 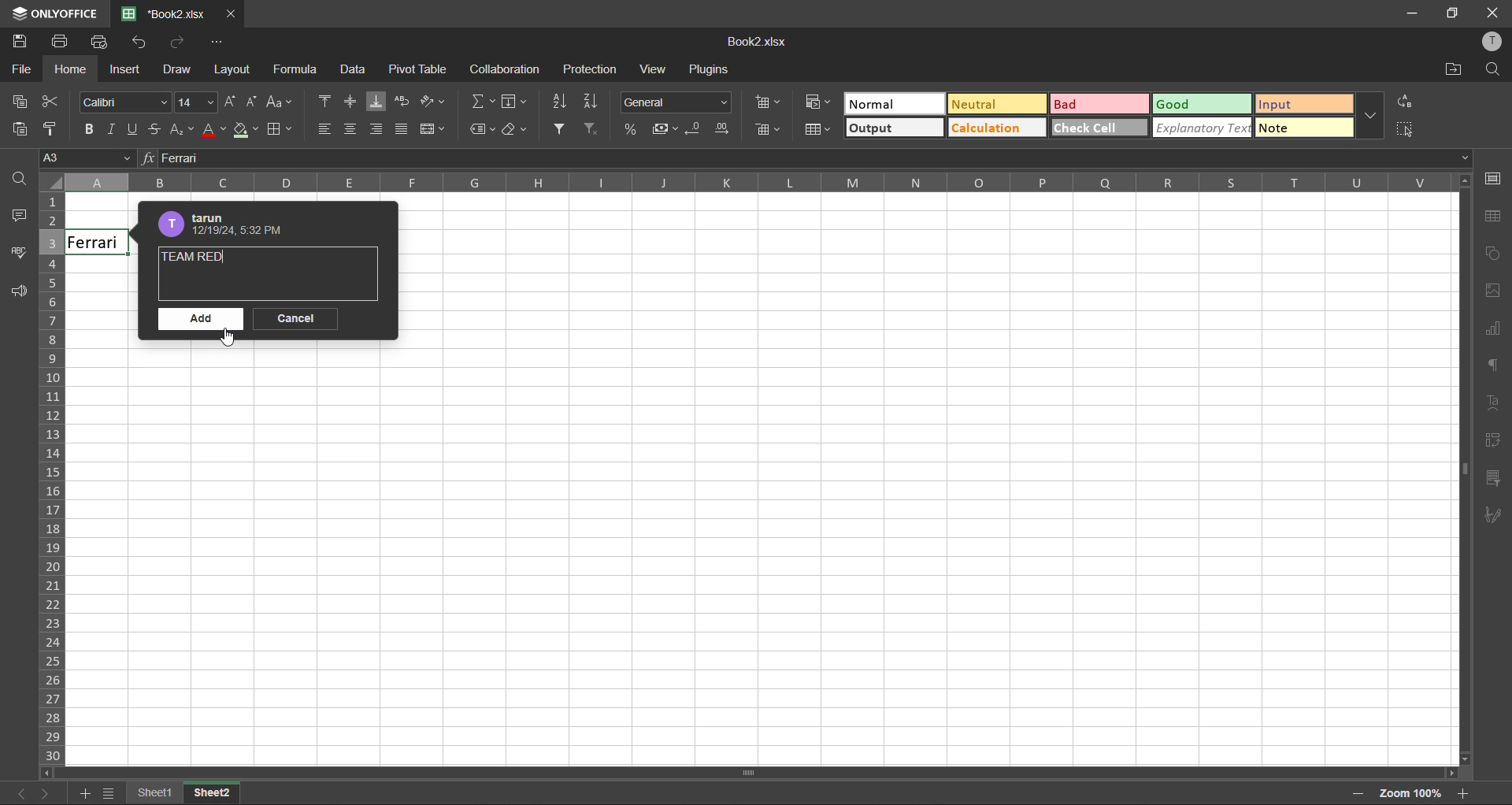 What do you see at coordinates (402, 99) in the screenshot?
I see `wrap text` at bounding box center [402, 99].